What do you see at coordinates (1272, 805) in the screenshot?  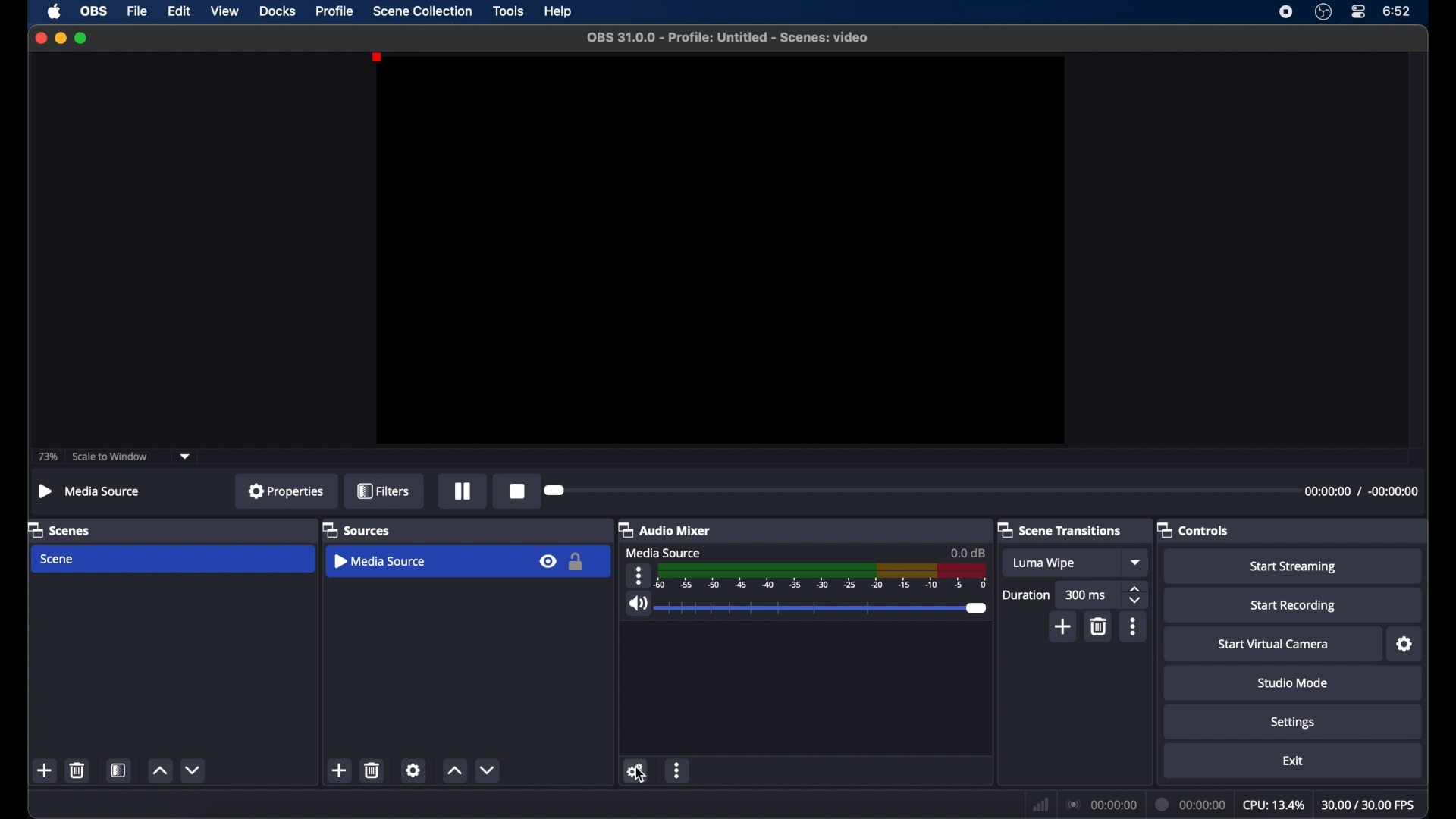 I see `cpu` at bounding box center [1272, 805].